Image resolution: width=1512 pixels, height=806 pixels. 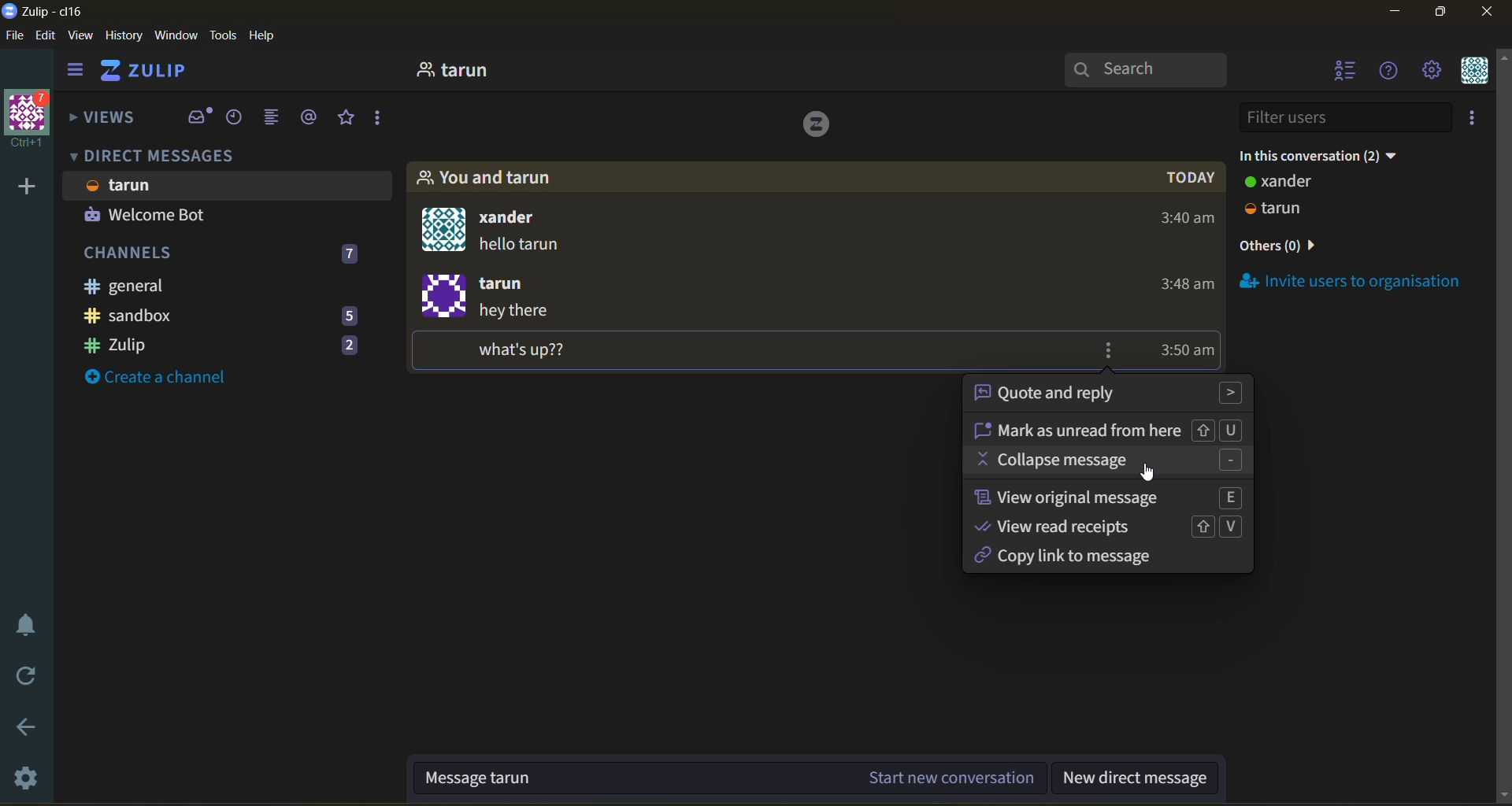 What do you see at coordinates (1473, 72) in the screenshot?
I see `personal menu` at bounding box center [1473, 72].